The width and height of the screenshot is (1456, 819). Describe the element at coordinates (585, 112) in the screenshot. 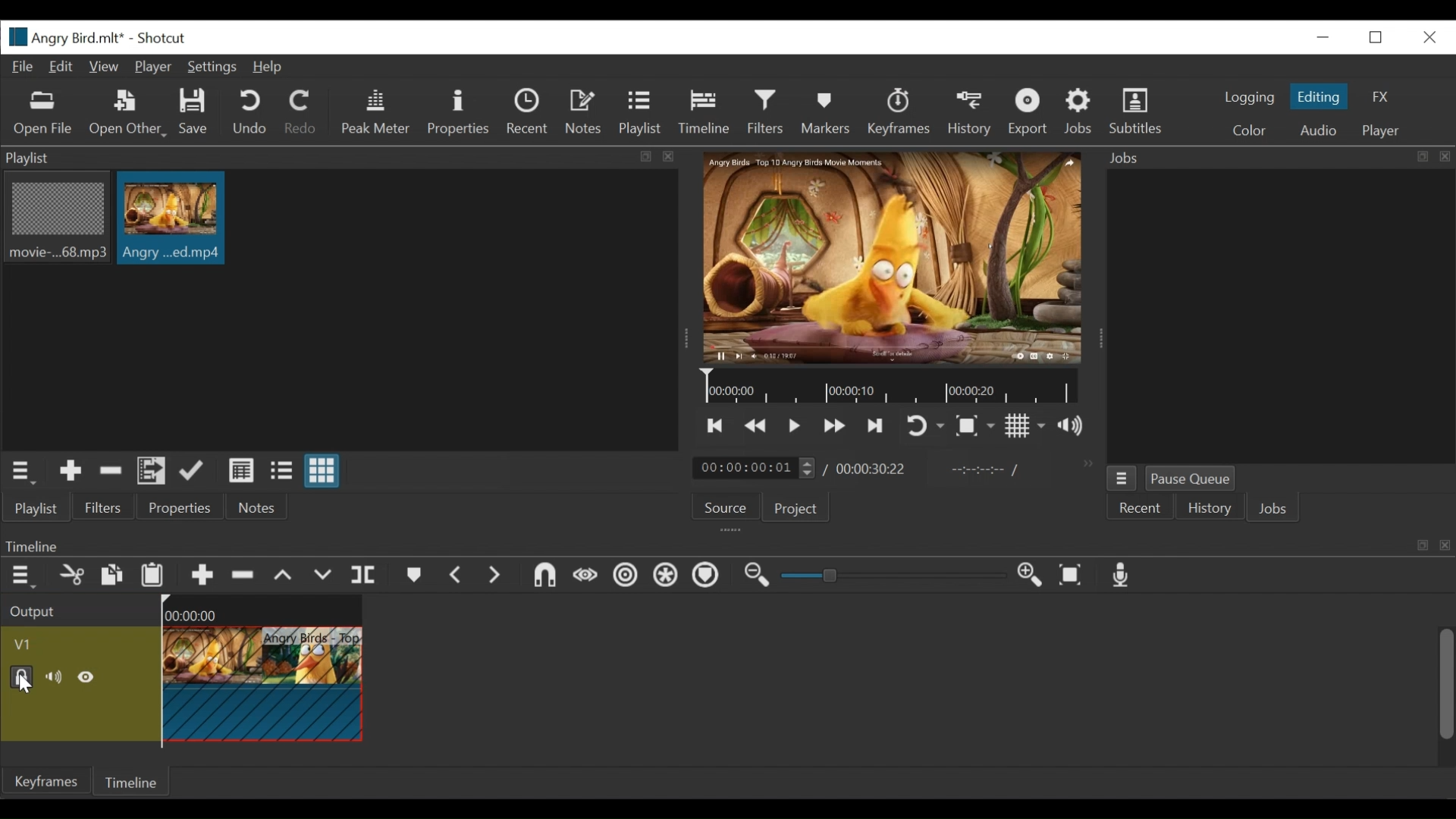

I see `Notes` at that location.